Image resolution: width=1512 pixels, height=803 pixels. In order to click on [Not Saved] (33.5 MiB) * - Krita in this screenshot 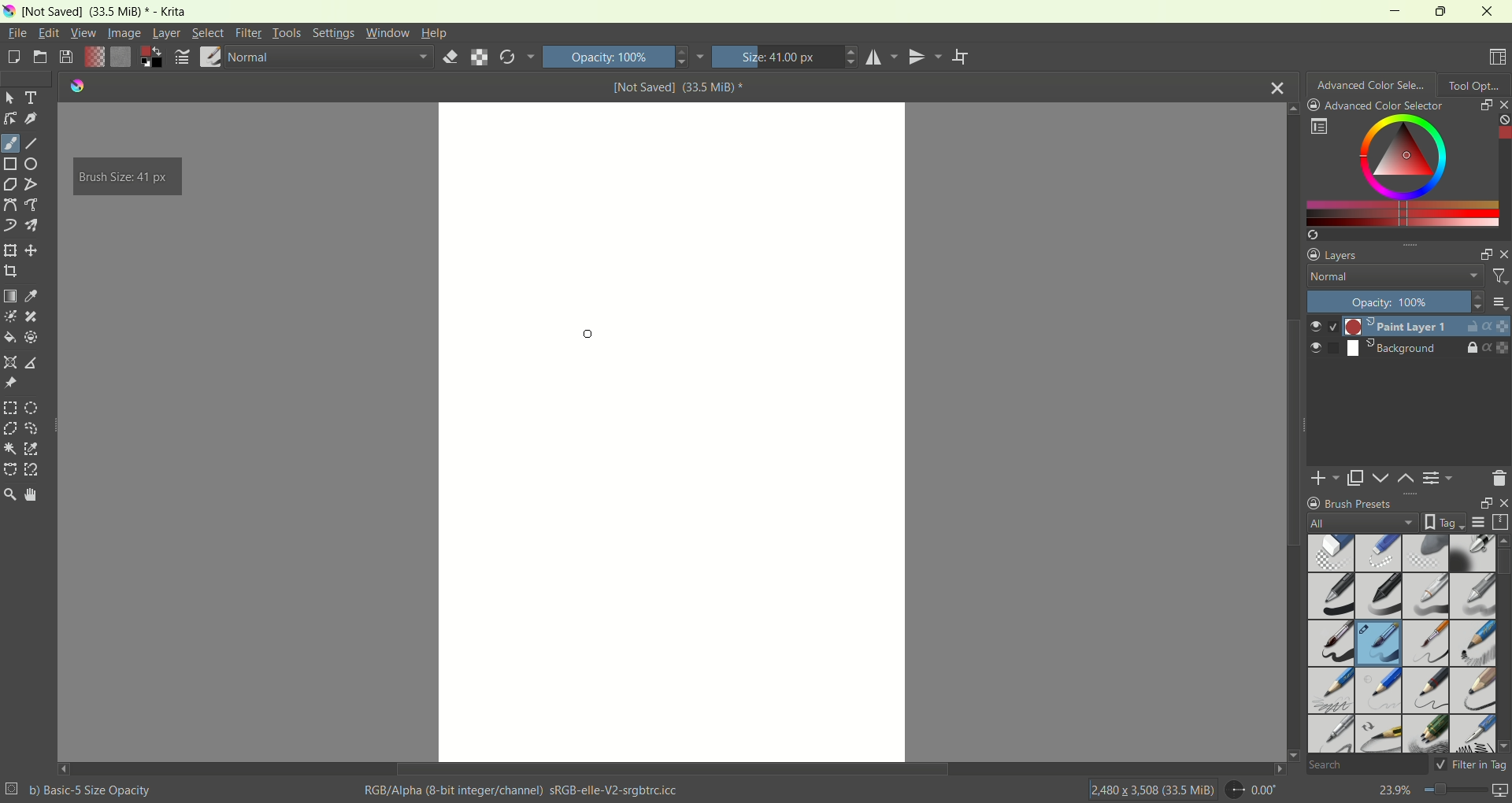, I will do `click(106, 13)`.